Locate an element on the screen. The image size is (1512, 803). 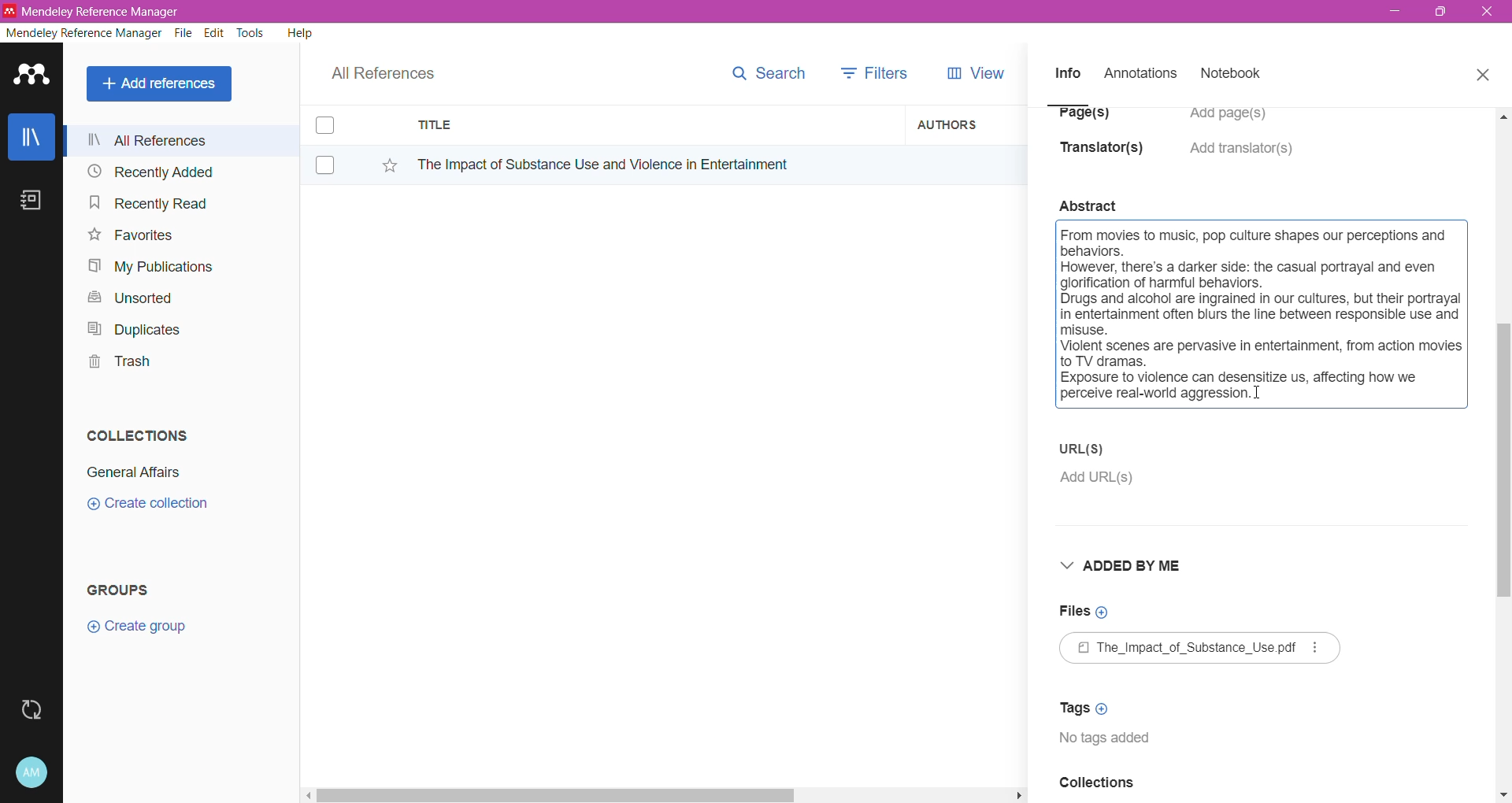
View is located at coordinates (973, 73).